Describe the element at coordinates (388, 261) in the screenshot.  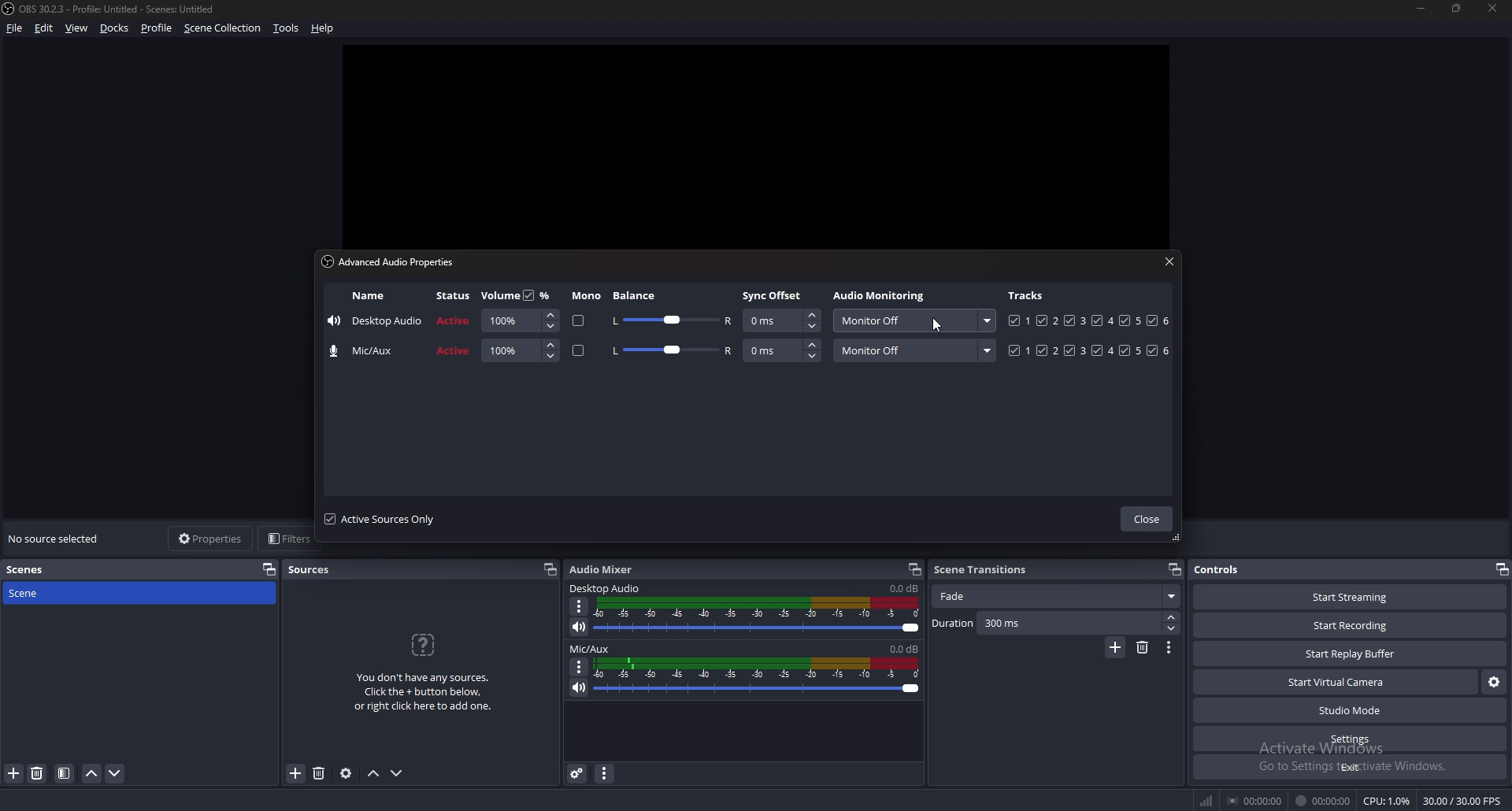
I see `advanced audio properties` at that location.